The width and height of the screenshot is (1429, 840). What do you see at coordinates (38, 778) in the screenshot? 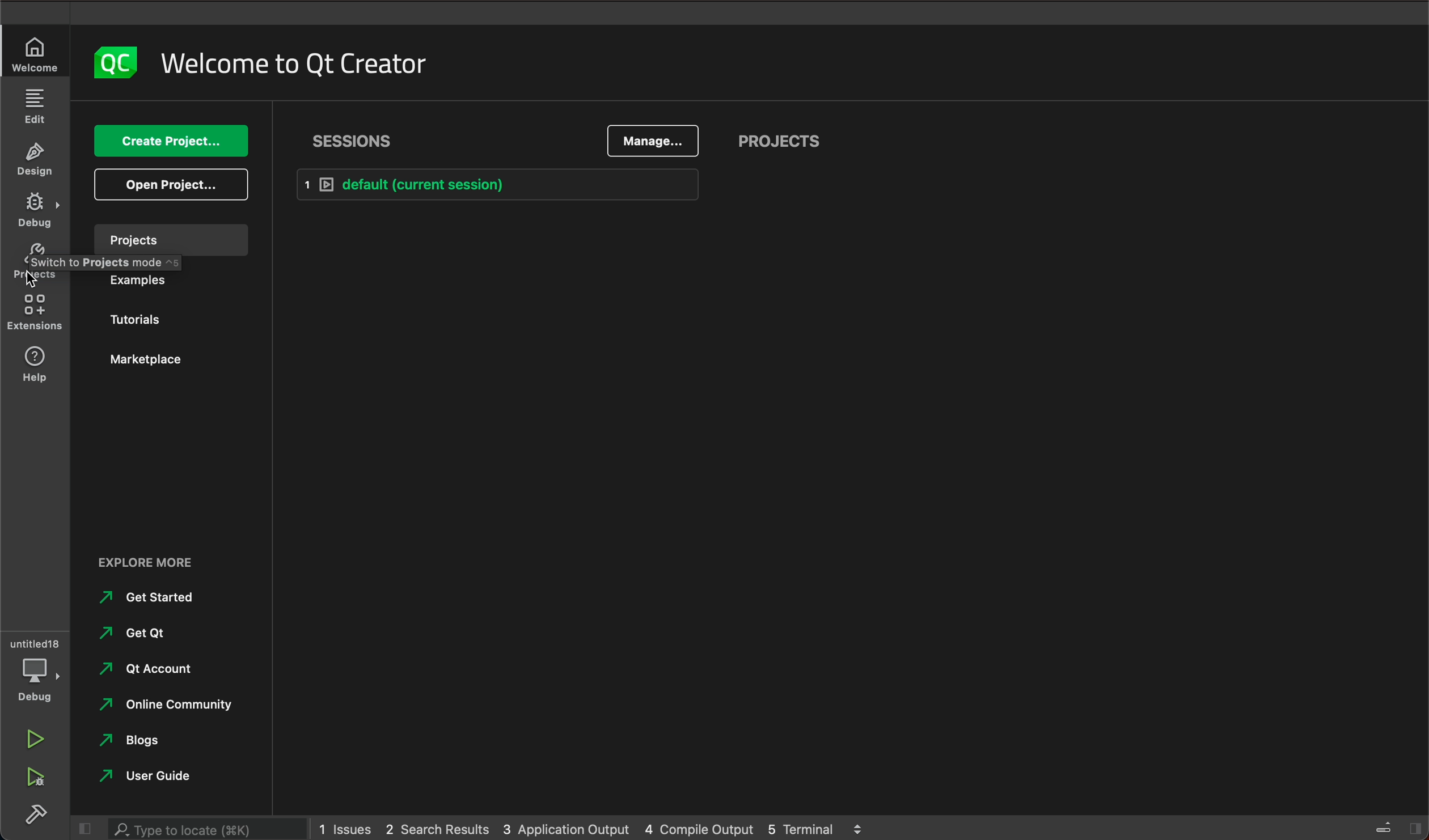
I see `run debug` at bounding box center [38, 778].